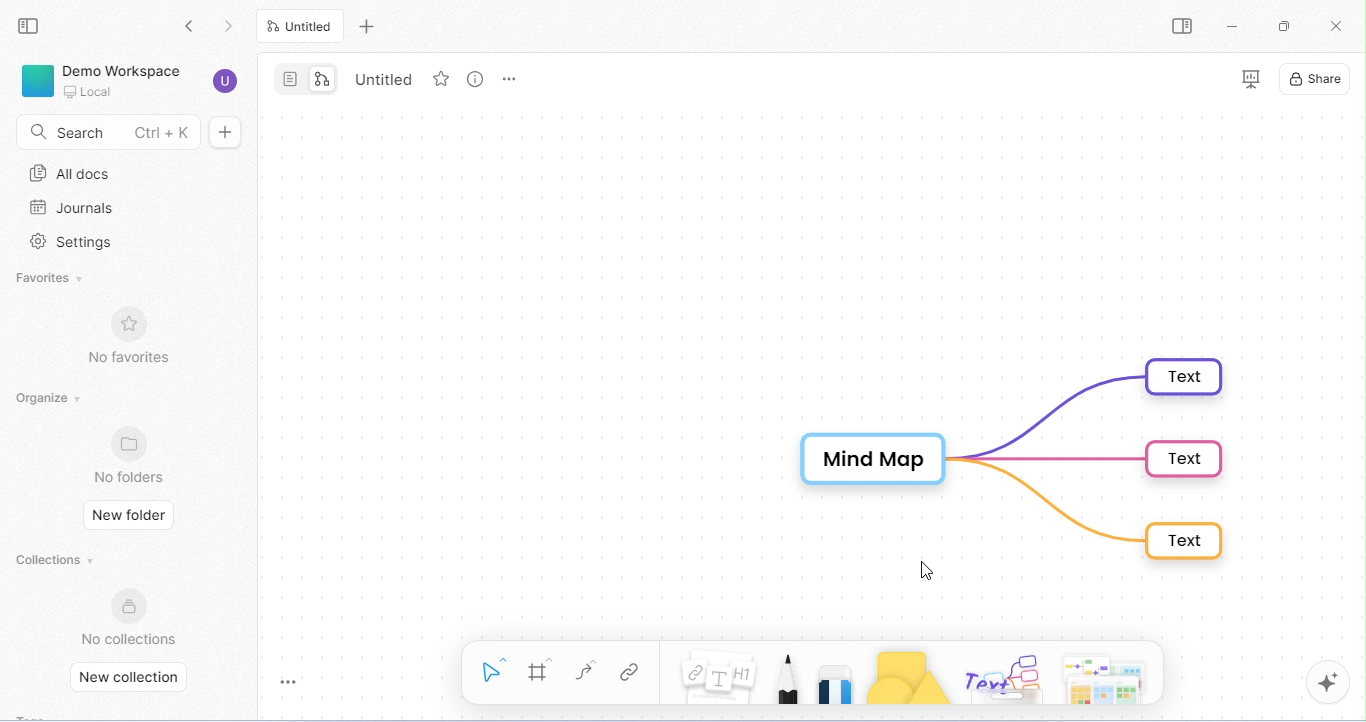 The height and width of the screenshot is (722, 1366). What do you see at coordinates (73, 208) in the screenshot?
I see `journals` at bounding box center [73, 208].